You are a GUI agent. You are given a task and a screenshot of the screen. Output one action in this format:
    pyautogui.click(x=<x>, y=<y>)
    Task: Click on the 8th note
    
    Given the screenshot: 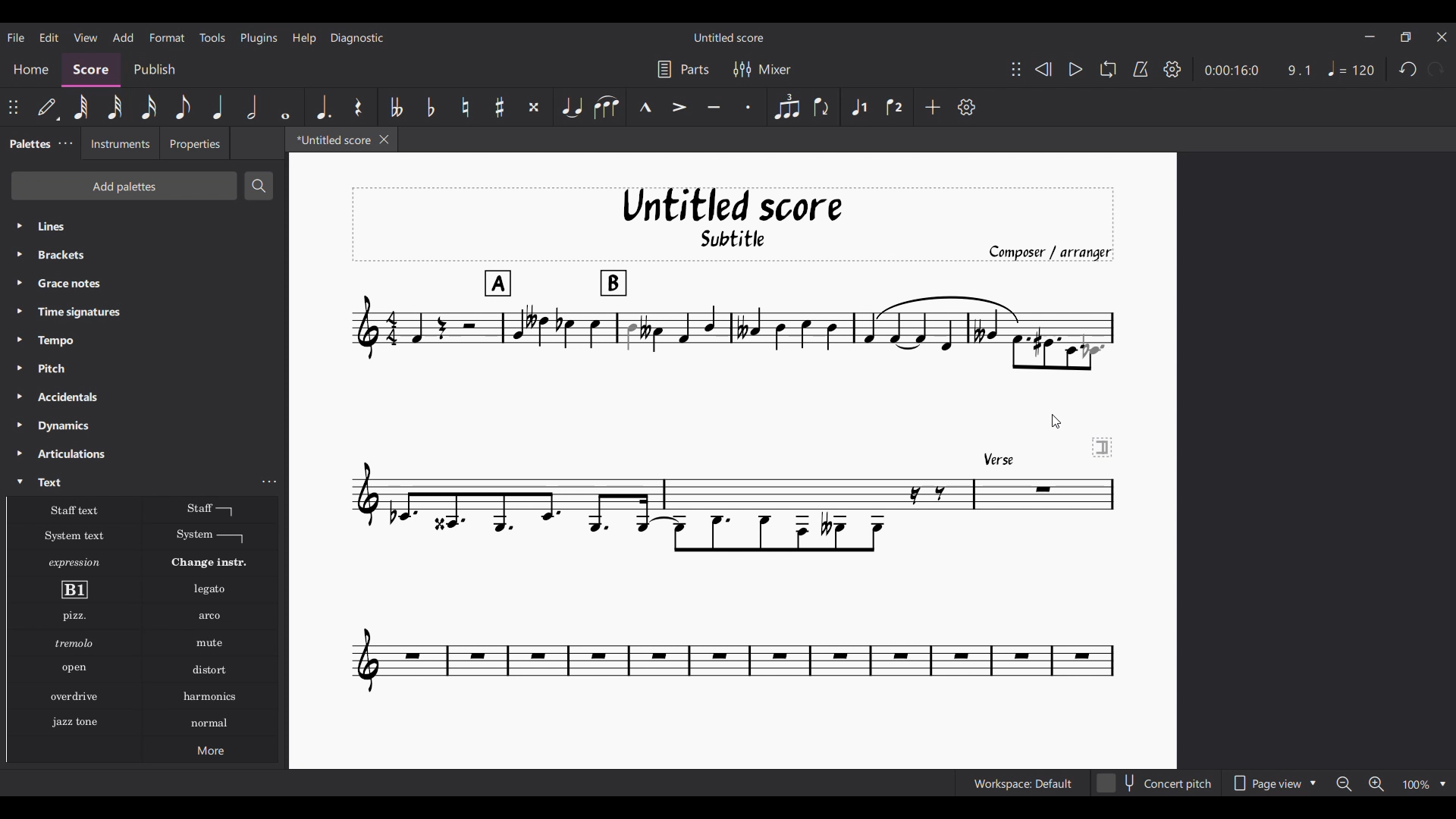 What is the action you would take?
    pyautogui.click(x=183, y=107)
    